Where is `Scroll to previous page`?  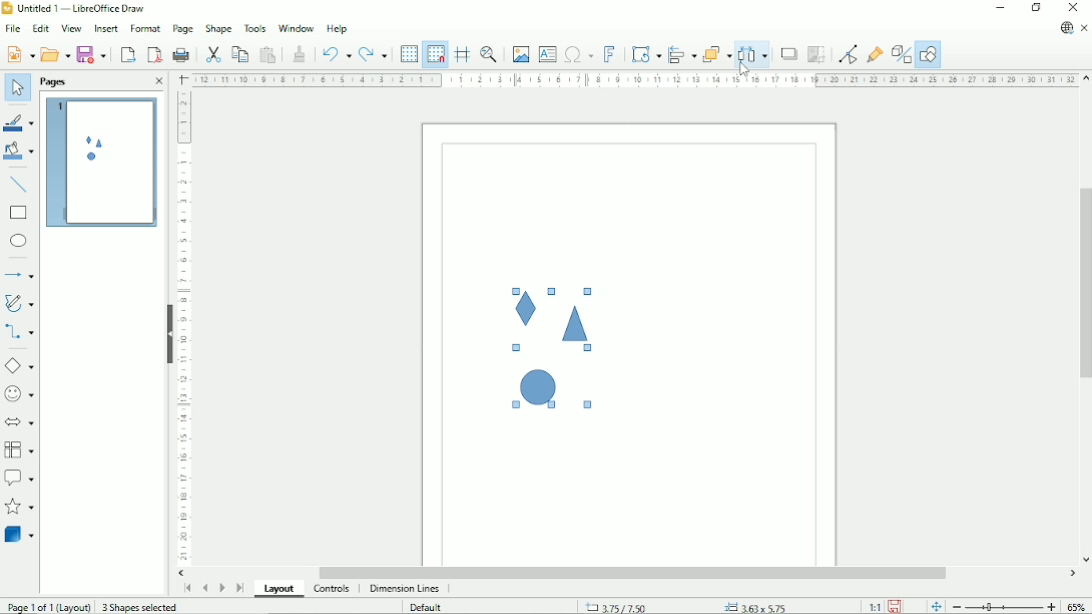 Scroll to previous page is located at coordinates (204, 589).